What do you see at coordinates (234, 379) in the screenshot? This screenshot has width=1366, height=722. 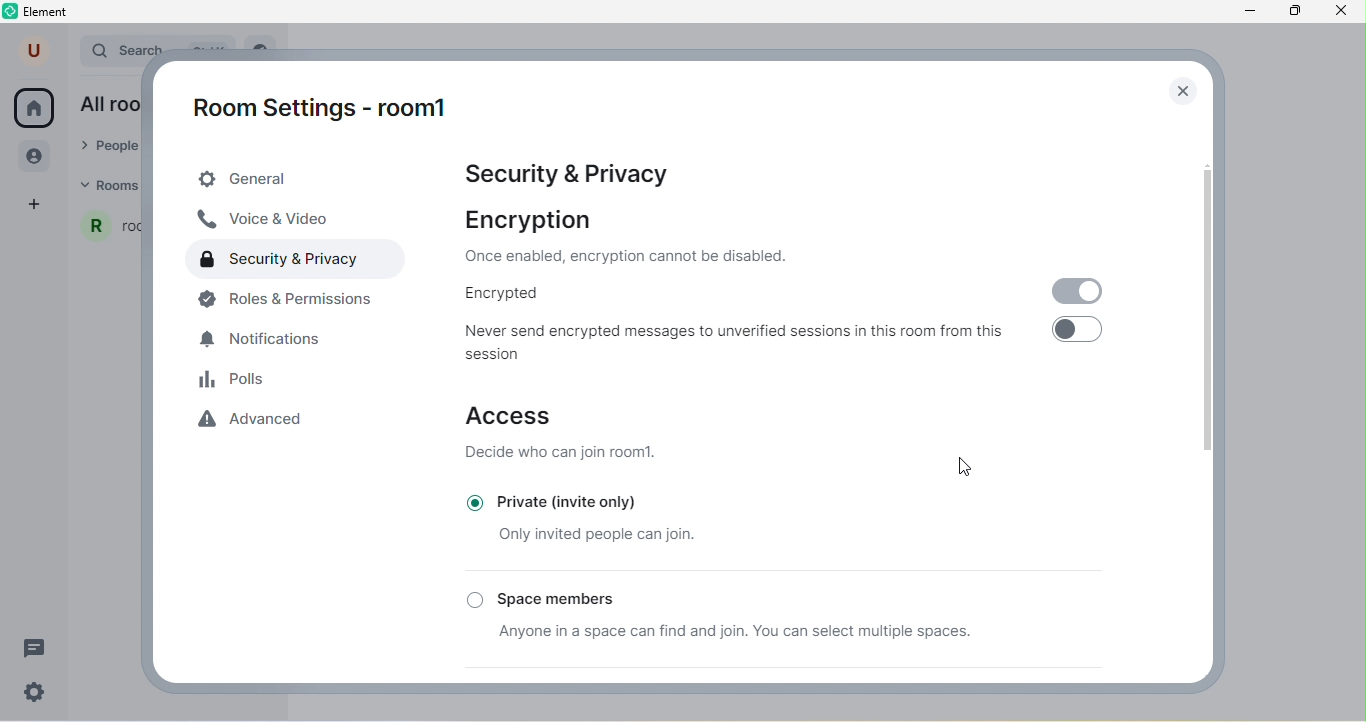 I see `polls` at bounding box center [234, 379].